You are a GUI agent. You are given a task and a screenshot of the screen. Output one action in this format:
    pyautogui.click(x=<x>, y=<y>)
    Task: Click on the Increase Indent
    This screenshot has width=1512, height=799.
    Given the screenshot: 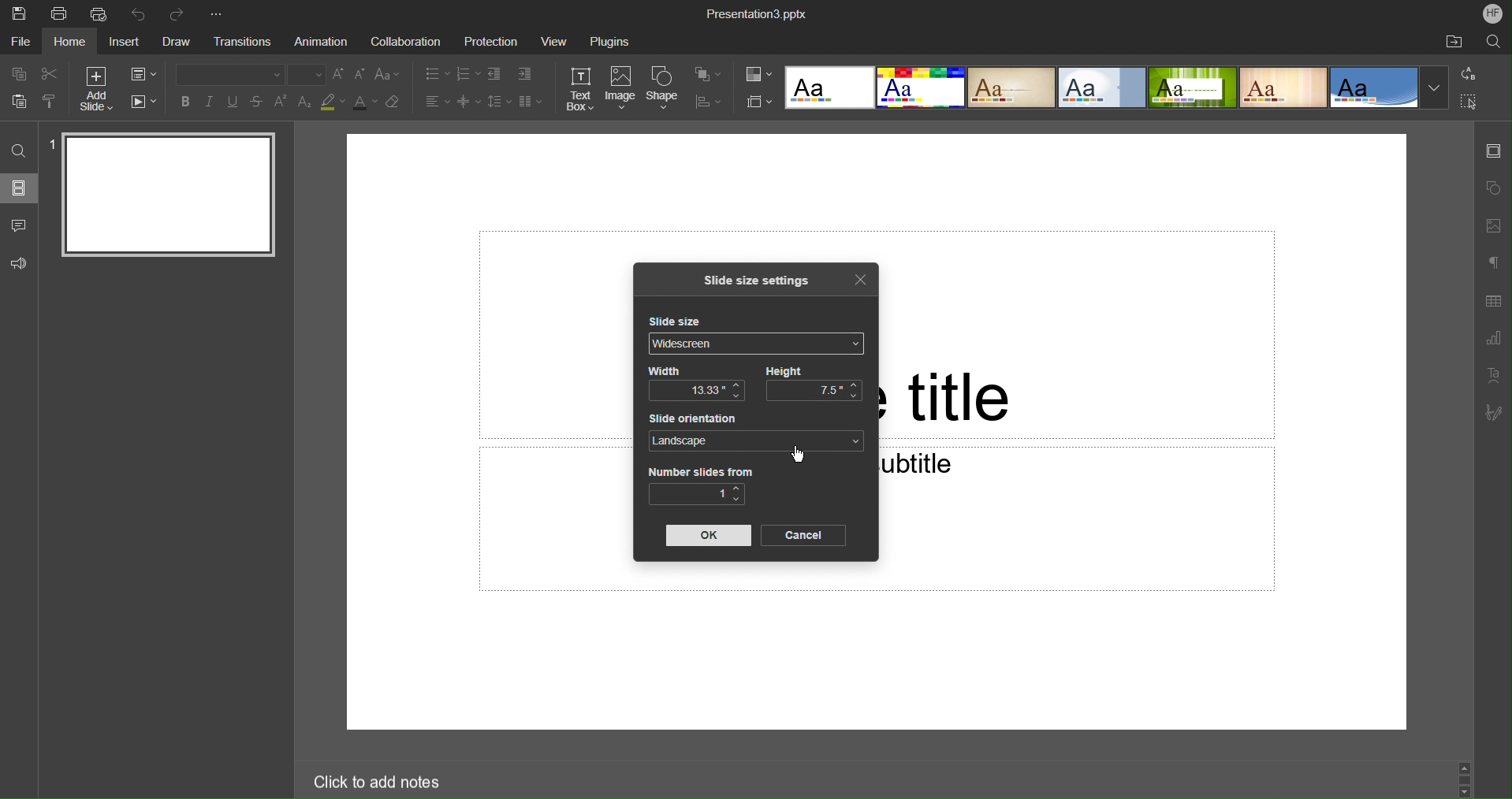 What is the action you would take?
    pyautogui.click(x=525, y=75)
    